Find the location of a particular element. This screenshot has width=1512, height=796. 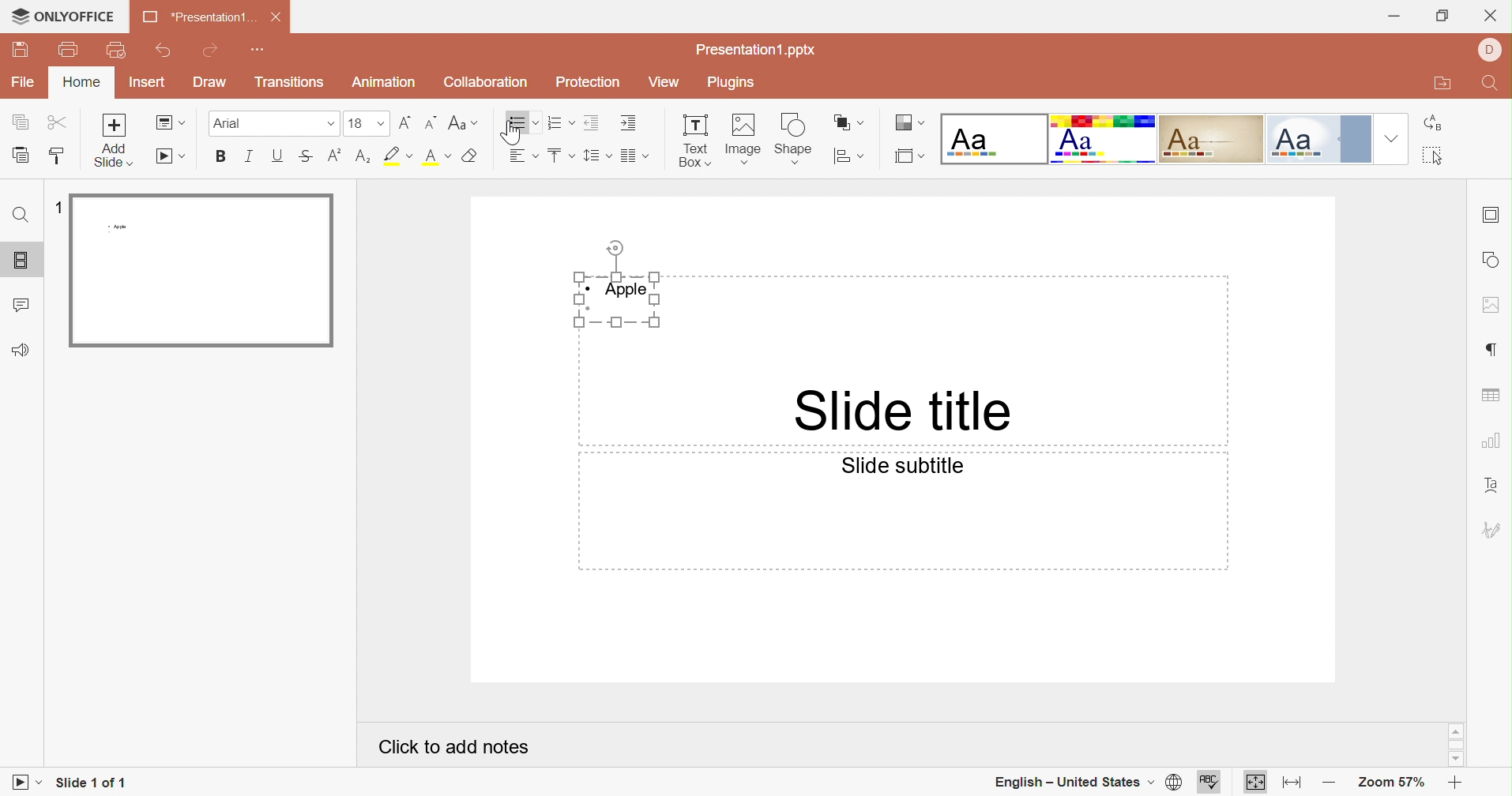

Slides is located at coordinates (23, 262).